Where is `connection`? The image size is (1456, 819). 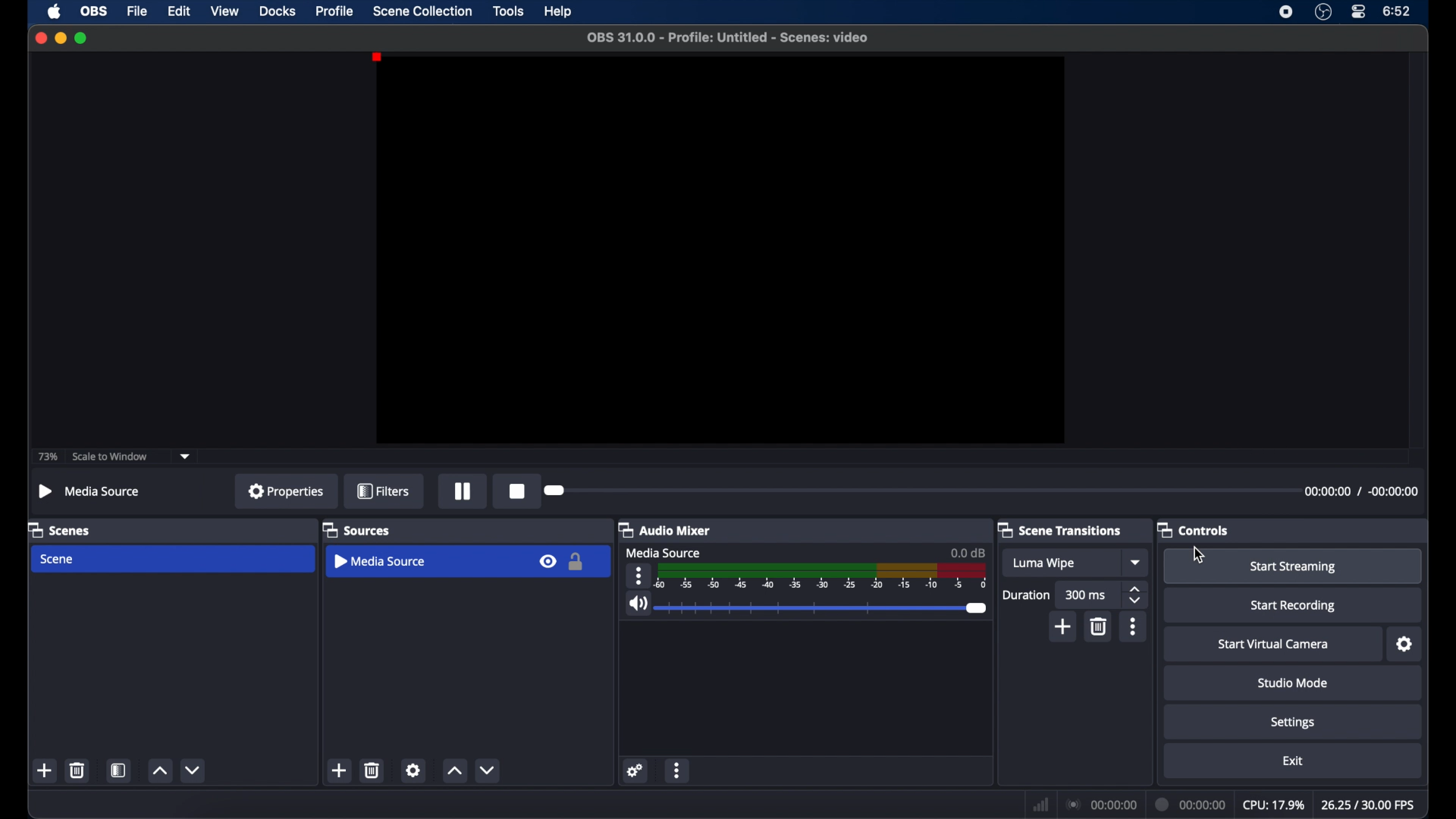
connection is located at coordinates (1102, 805).